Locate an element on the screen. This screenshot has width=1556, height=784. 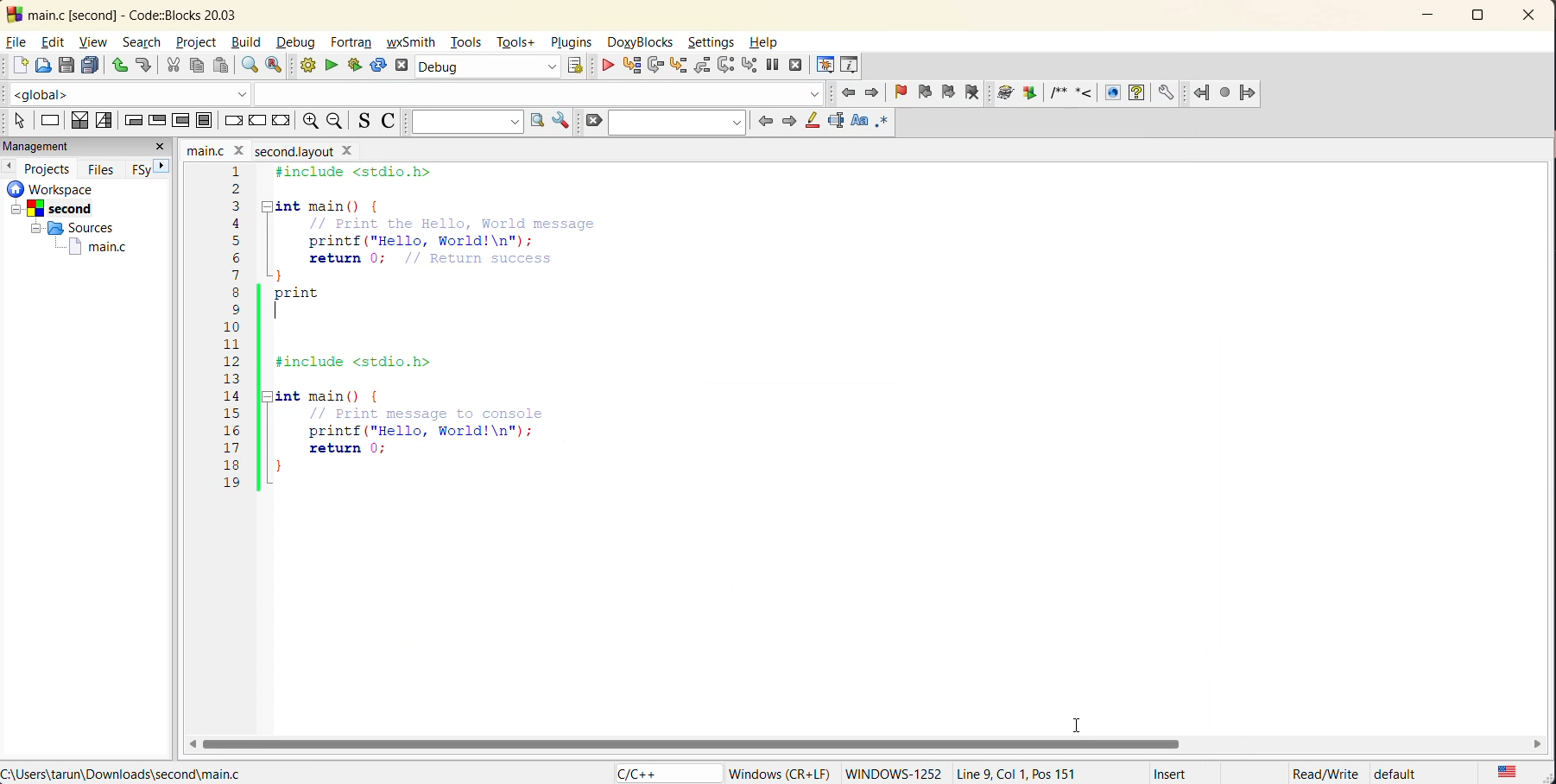
build target is located at coordinates (489, 68).